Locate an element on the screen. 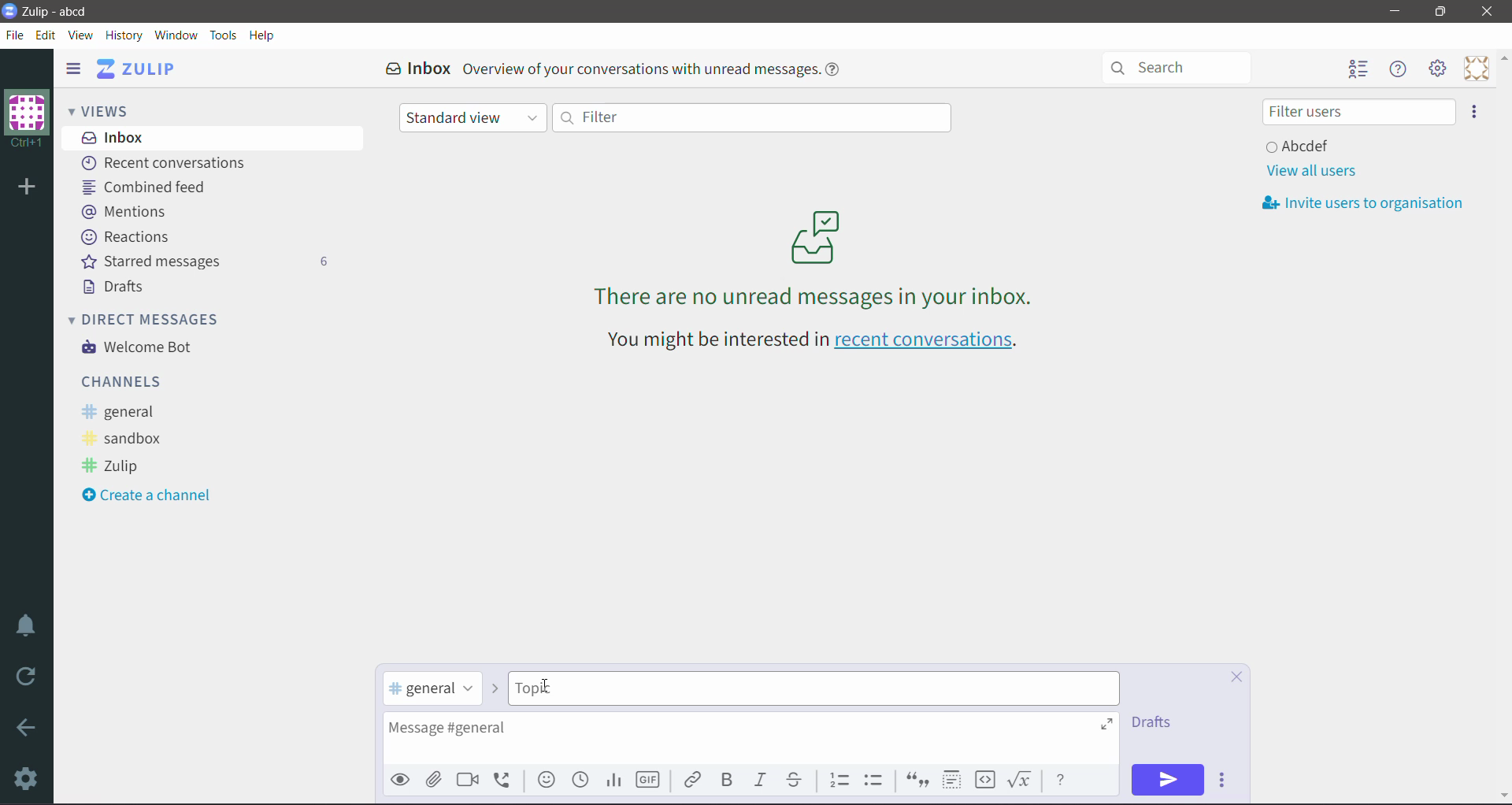  Numbered list is located at coordinates (839, 778).